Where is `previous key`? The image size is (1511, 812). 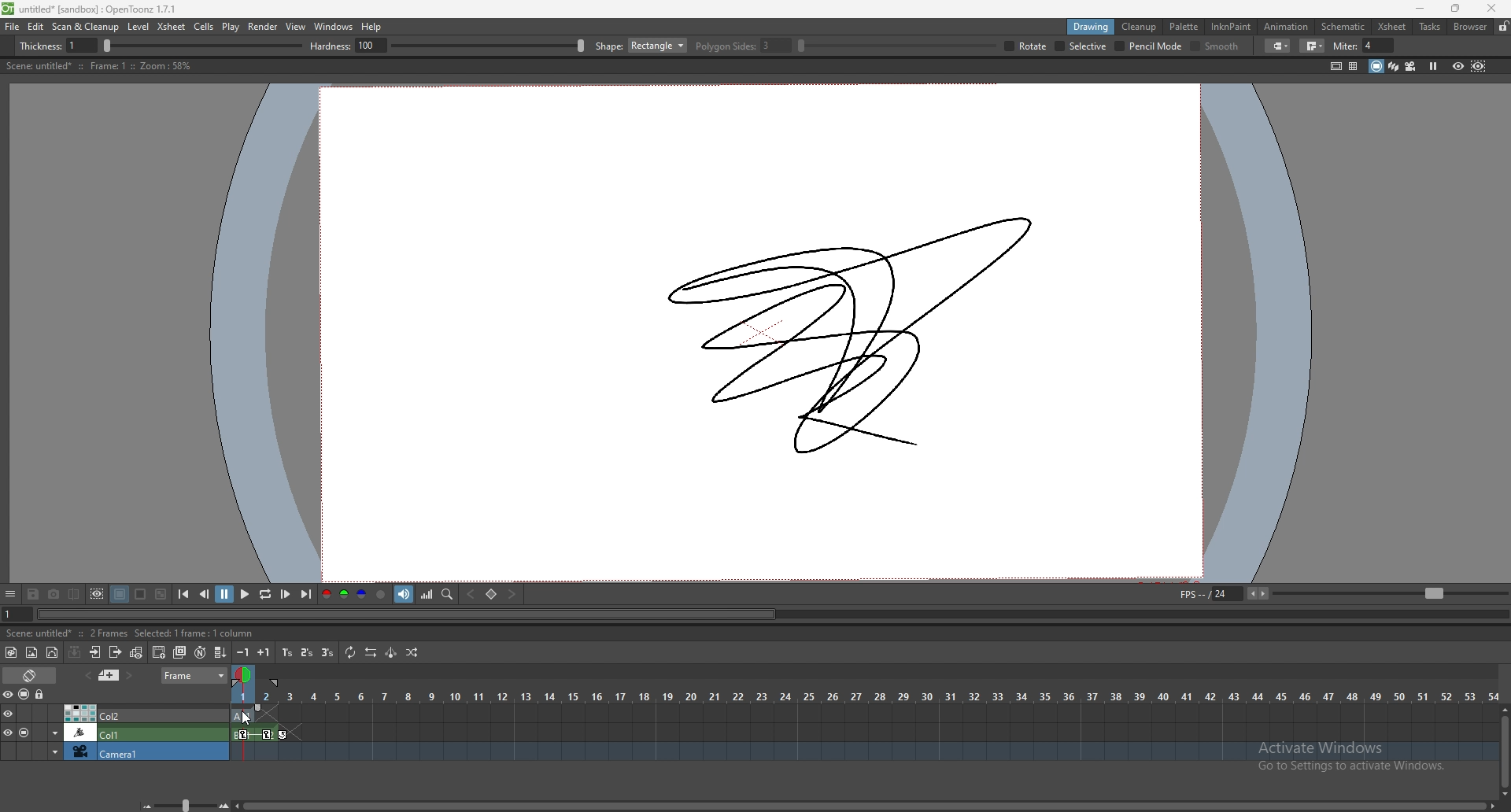 previous key is located at coordinates (469, 595).